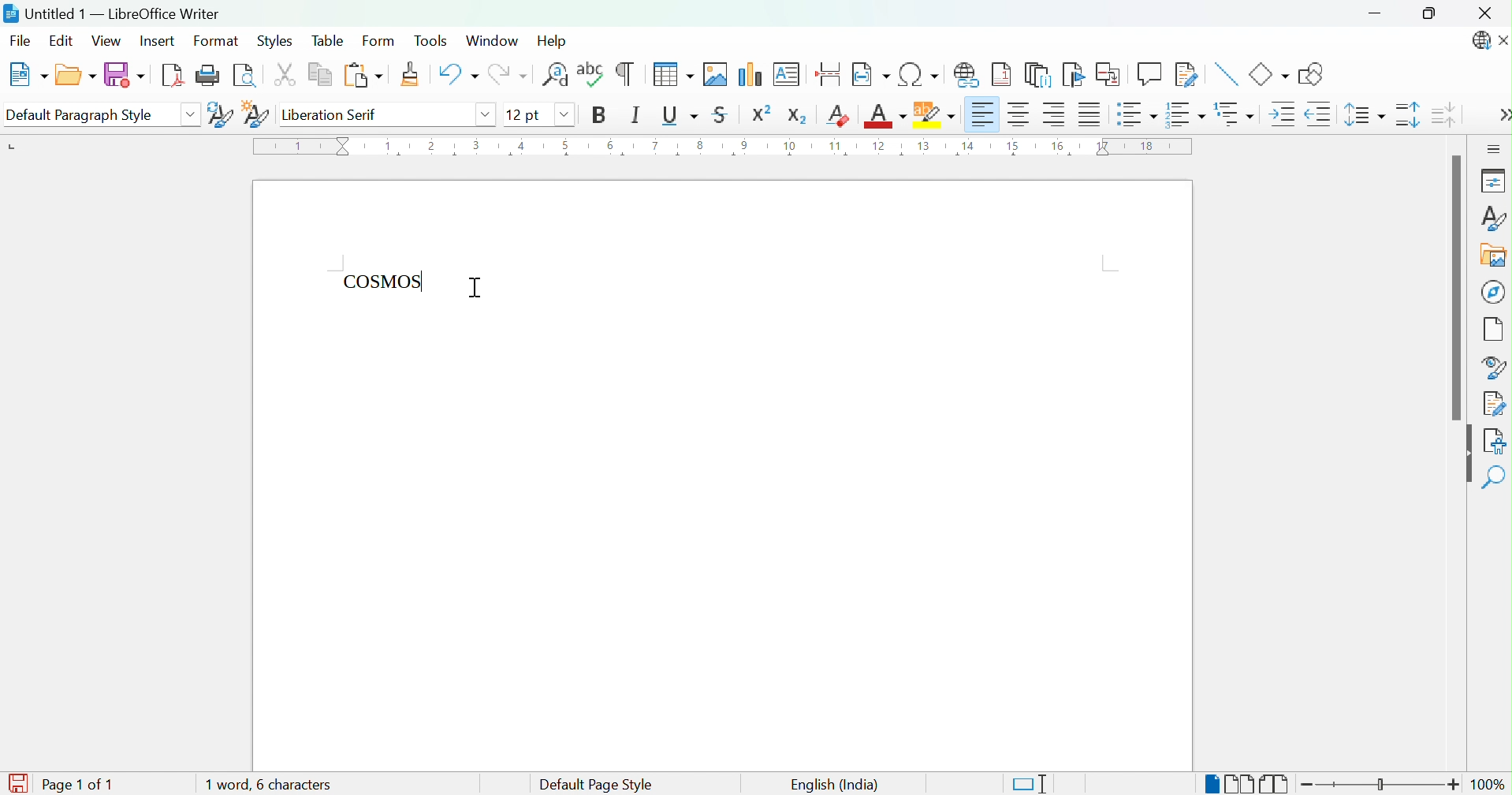  Describe the element at coordinates (17, 780) in the screenshot. I see `Save` at that location.